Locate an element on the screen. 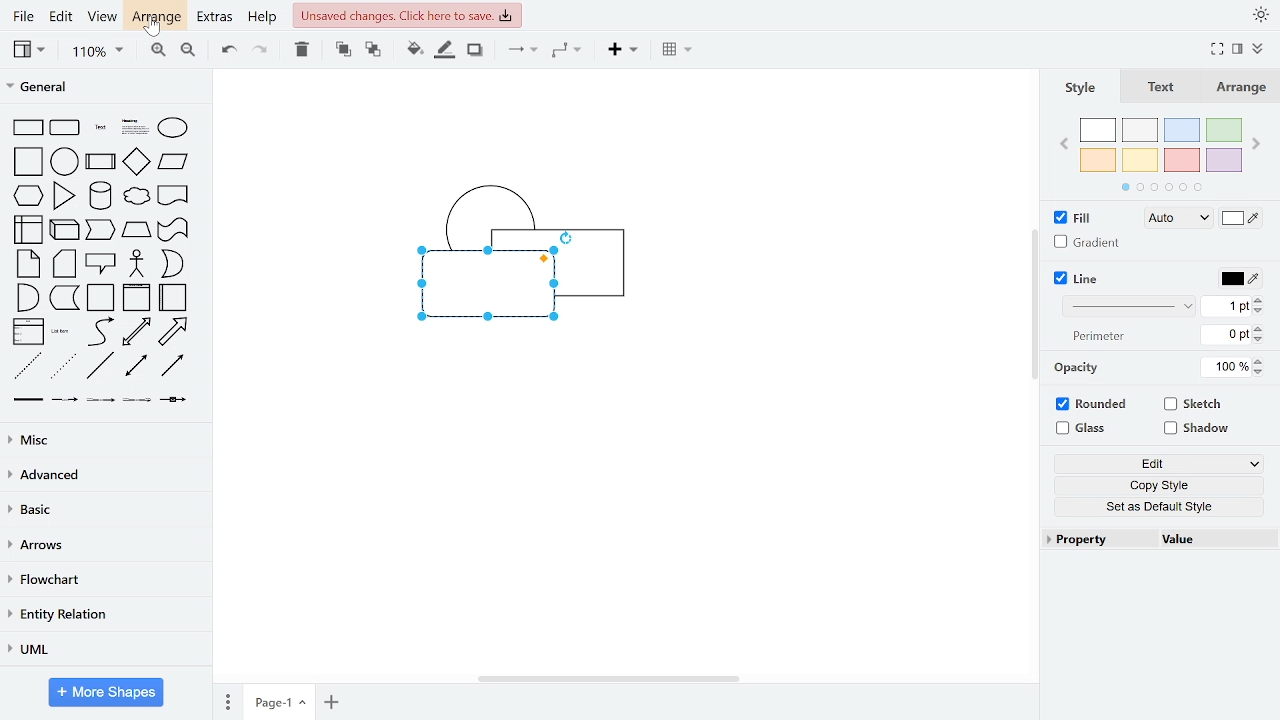 This screenshot has width=1280, height=720. previous is located at coordinates (1064, 146).